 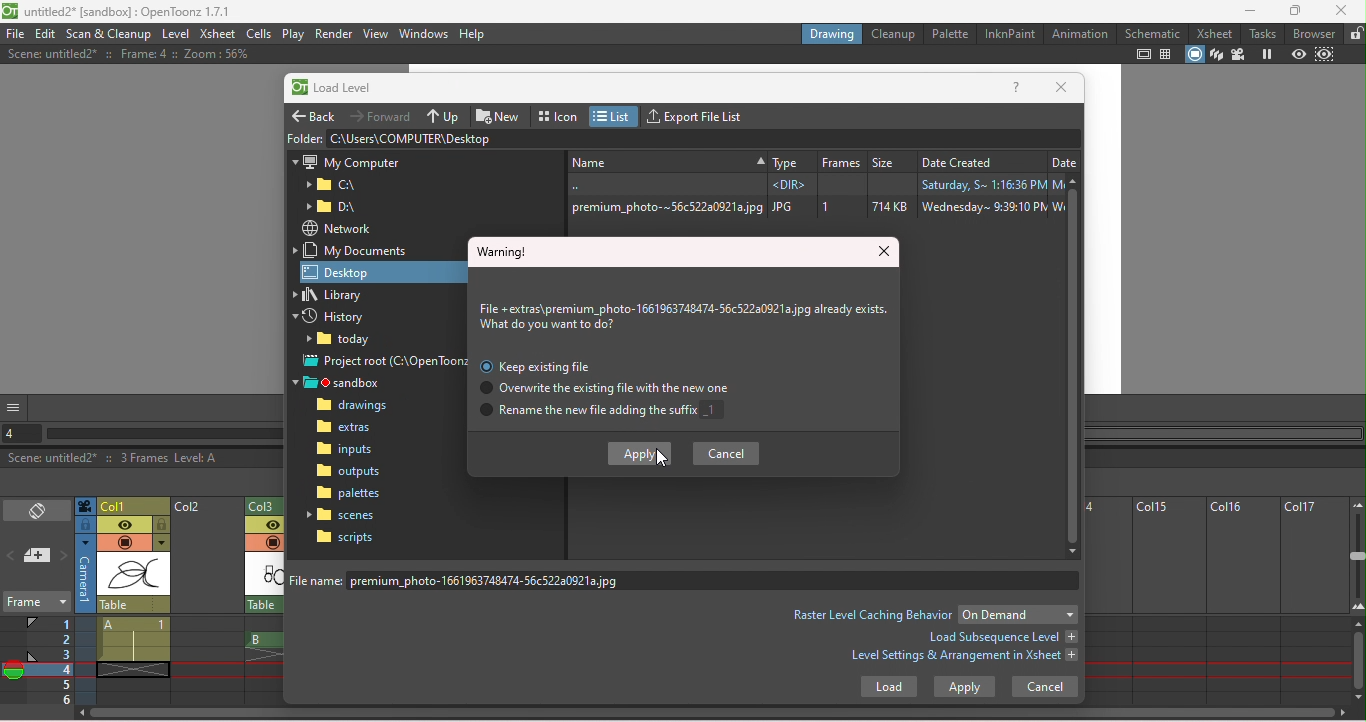 I want to click on Load subsequent level, so click(x=1001, y=637).